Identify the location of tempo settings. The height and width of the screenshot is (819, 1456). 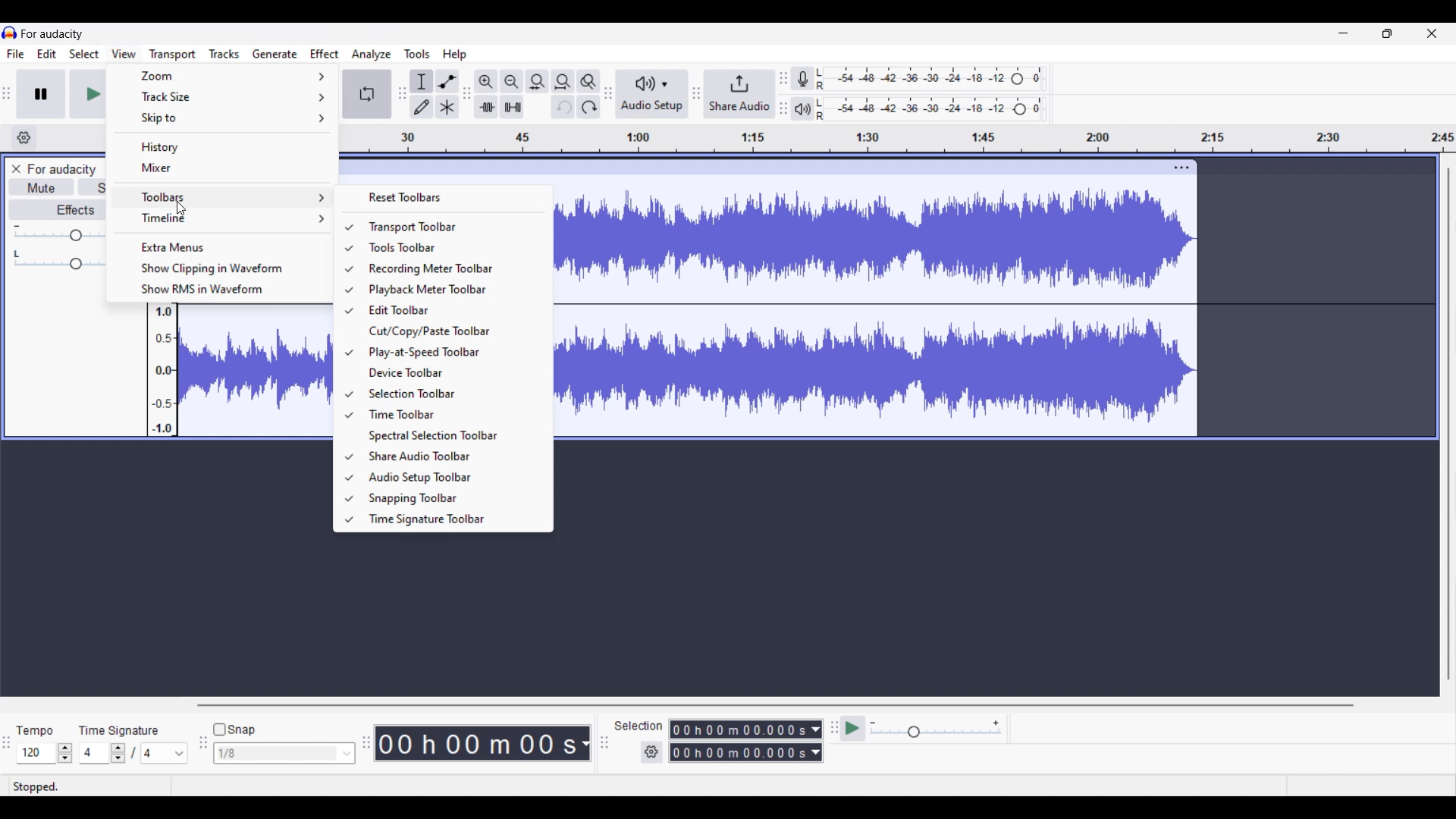
(45, 753).